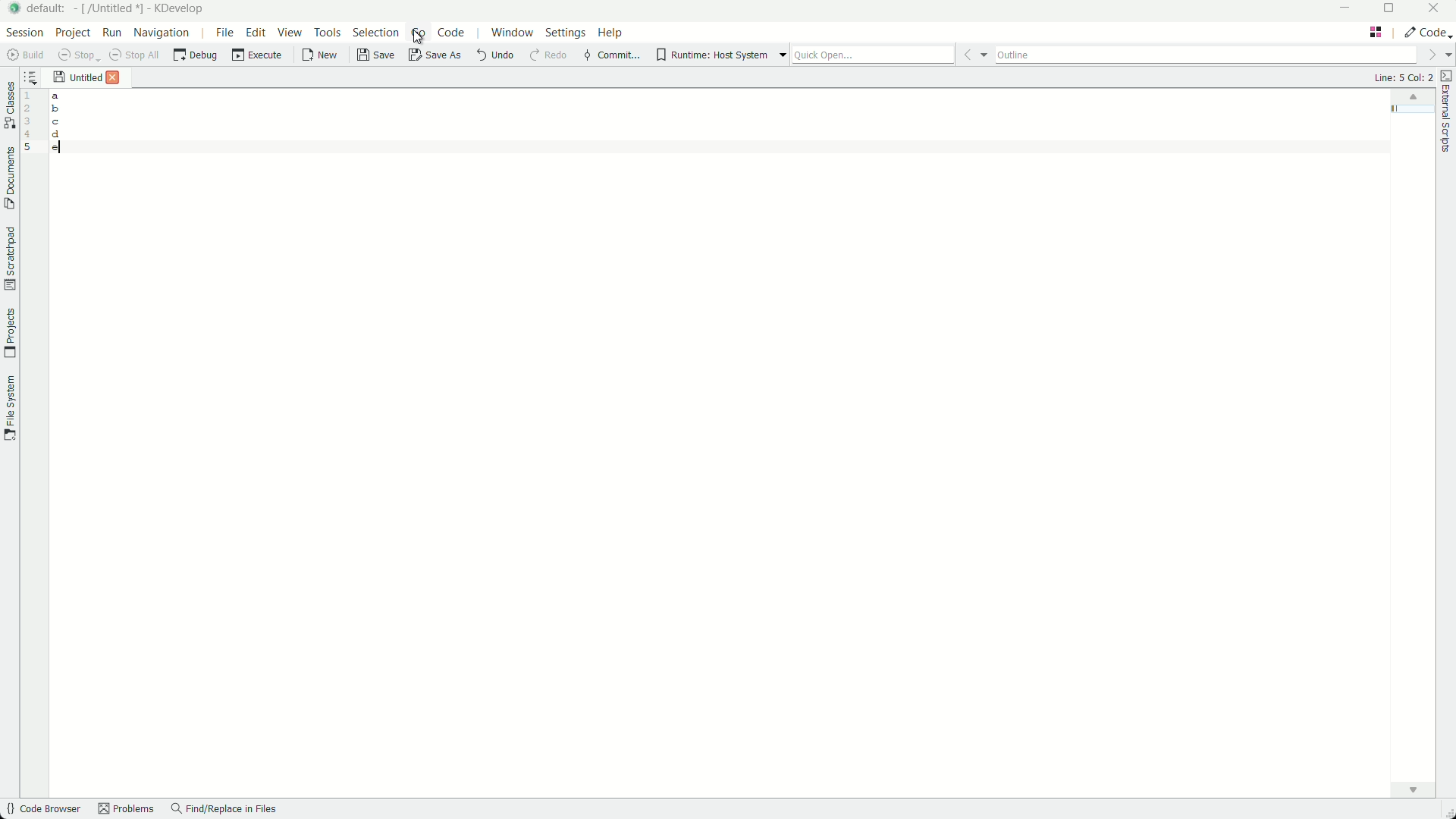 The image size is (1456, 819). Describe the element at coordinates (1447, 116) in the screenshot. I see `external scripts` at that location.